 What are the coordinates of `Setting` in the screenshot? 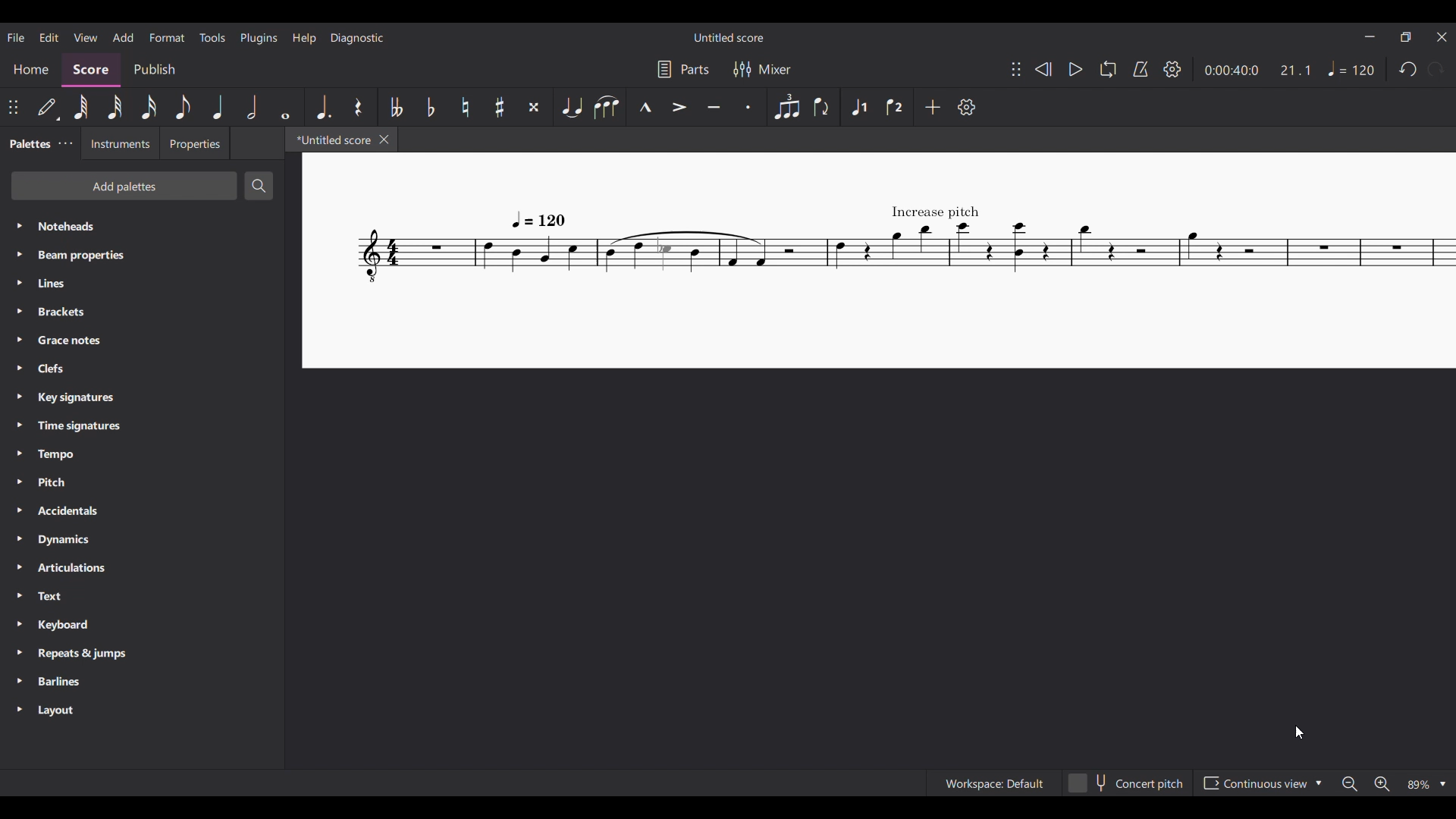 It's located at (968, 107).